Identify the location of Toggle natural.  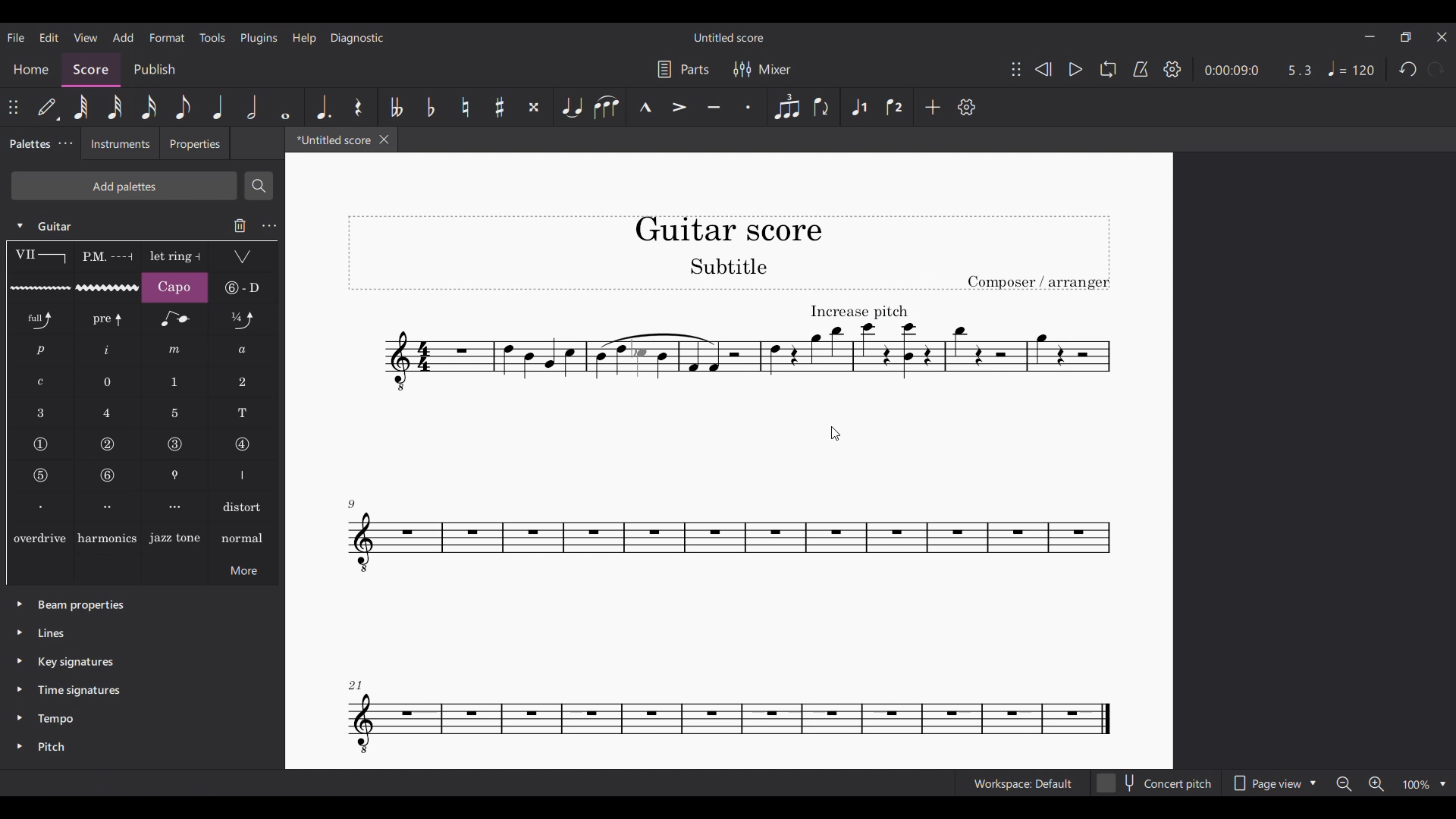
(465, 107).